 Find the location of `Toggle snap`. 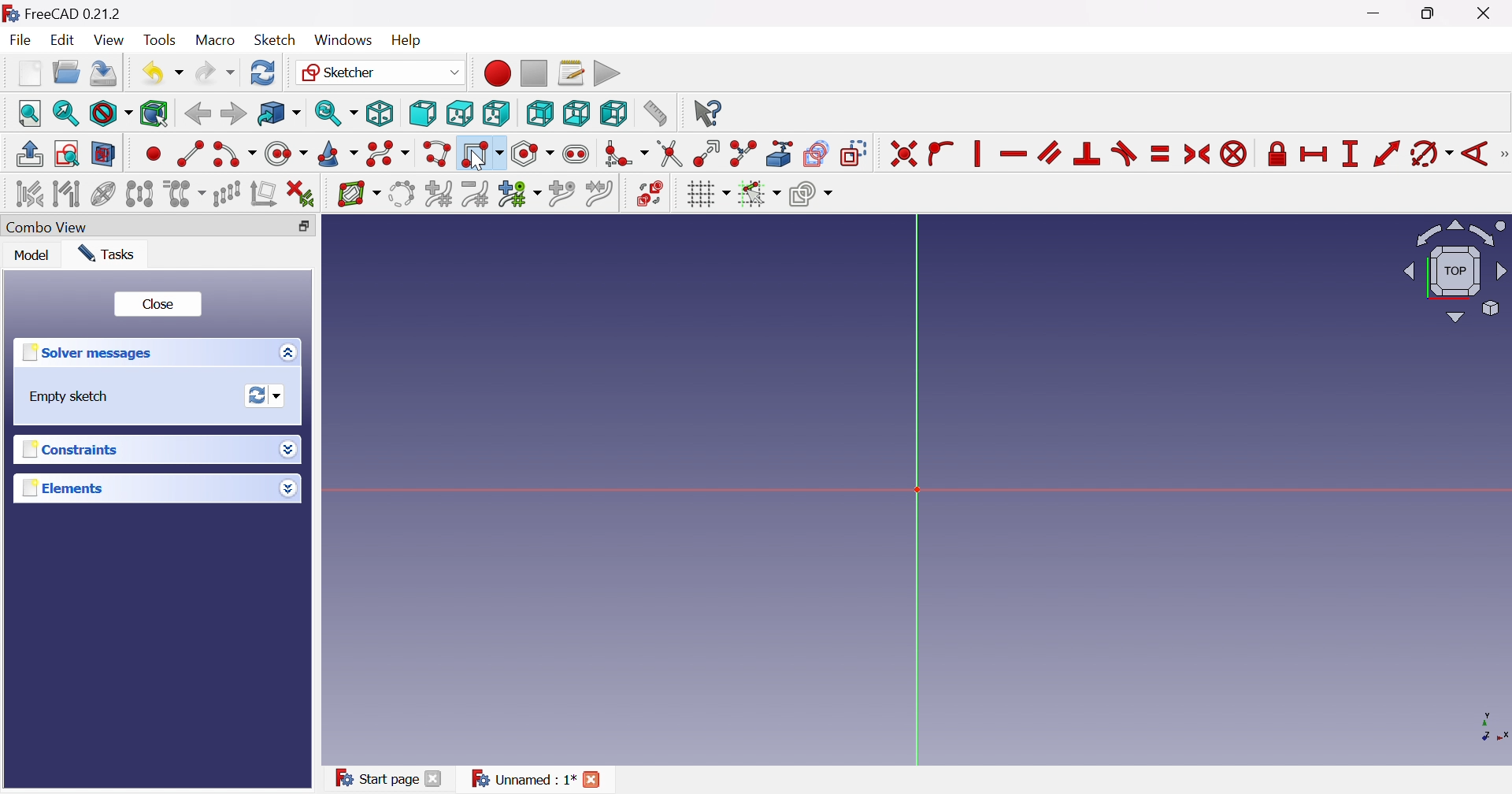

Toggle snap is located at coordinates (758, 194).